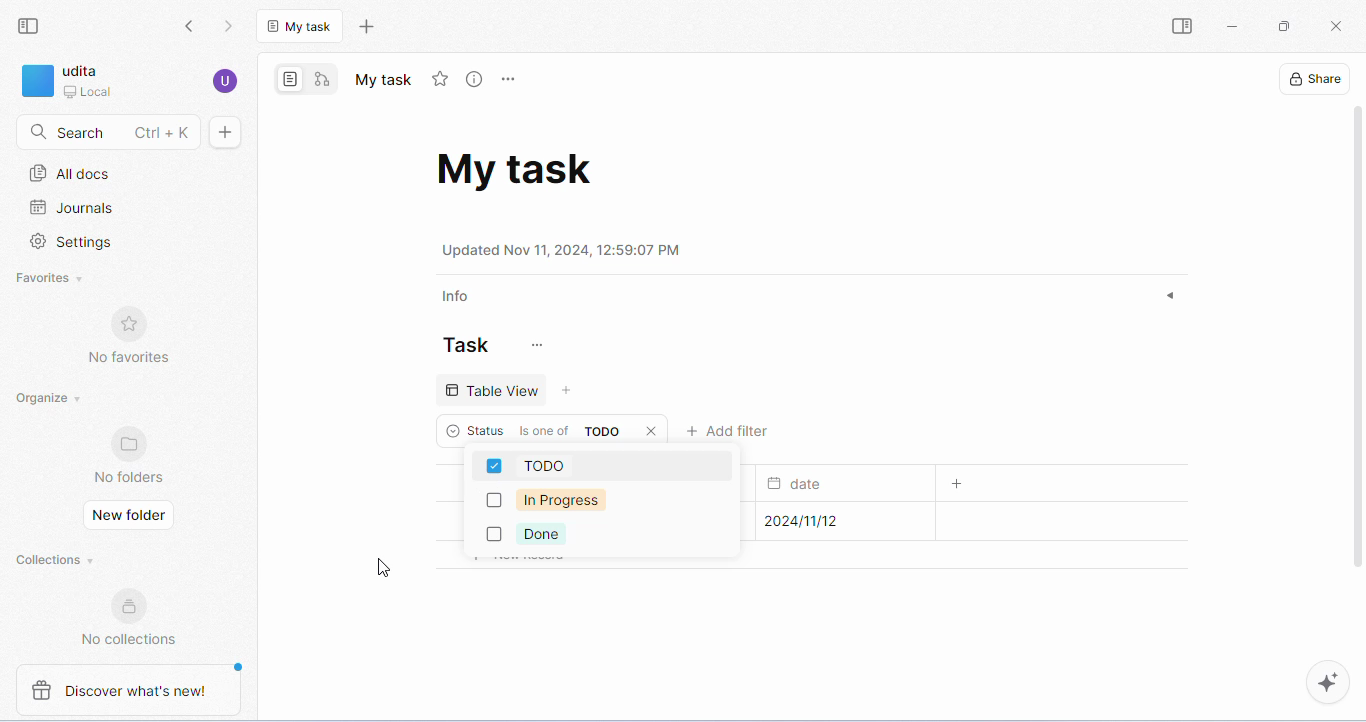  Describe the element at coordinates (534, 346) in the screenshot. I see `customize task` at that location.